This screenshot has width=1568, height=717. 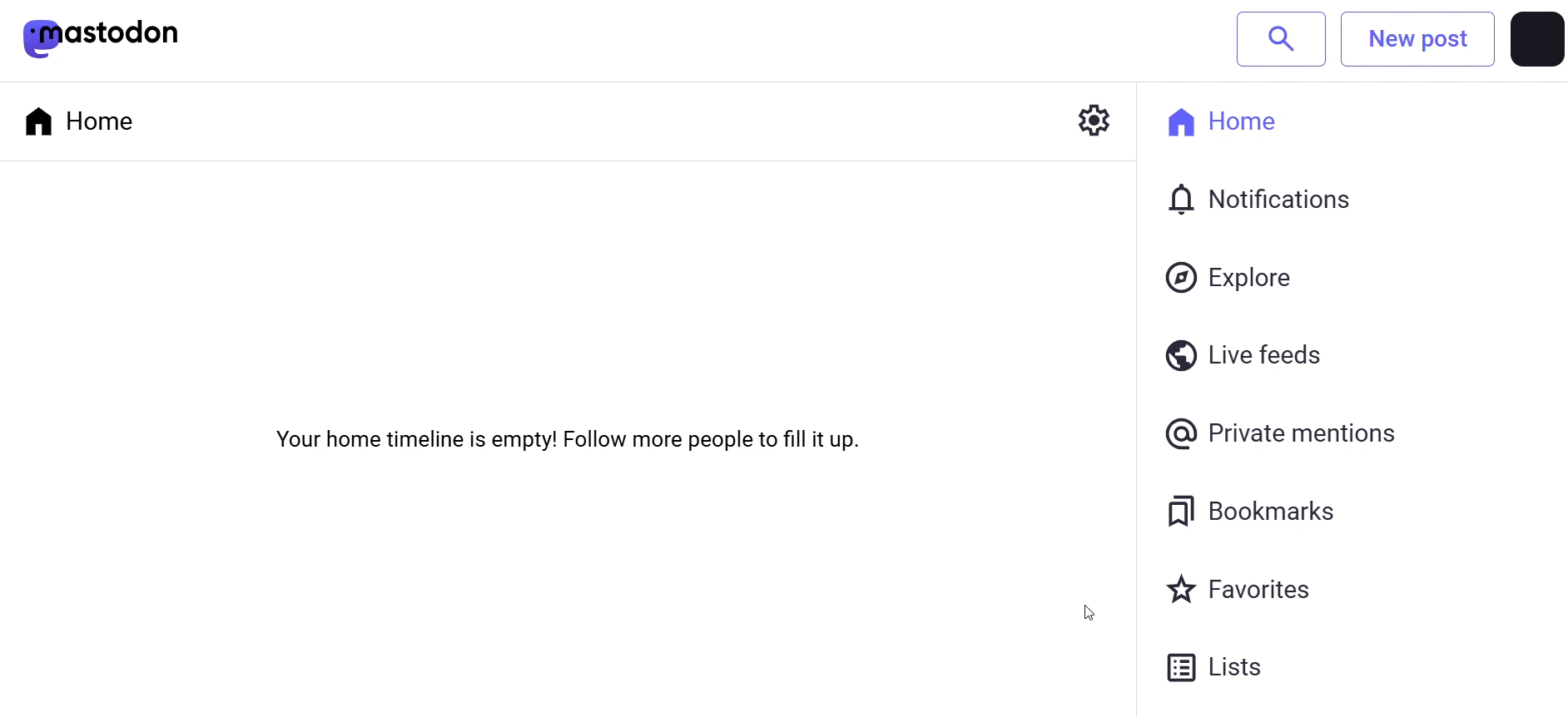 I want to click on new post, so click(x=1417, y=39).